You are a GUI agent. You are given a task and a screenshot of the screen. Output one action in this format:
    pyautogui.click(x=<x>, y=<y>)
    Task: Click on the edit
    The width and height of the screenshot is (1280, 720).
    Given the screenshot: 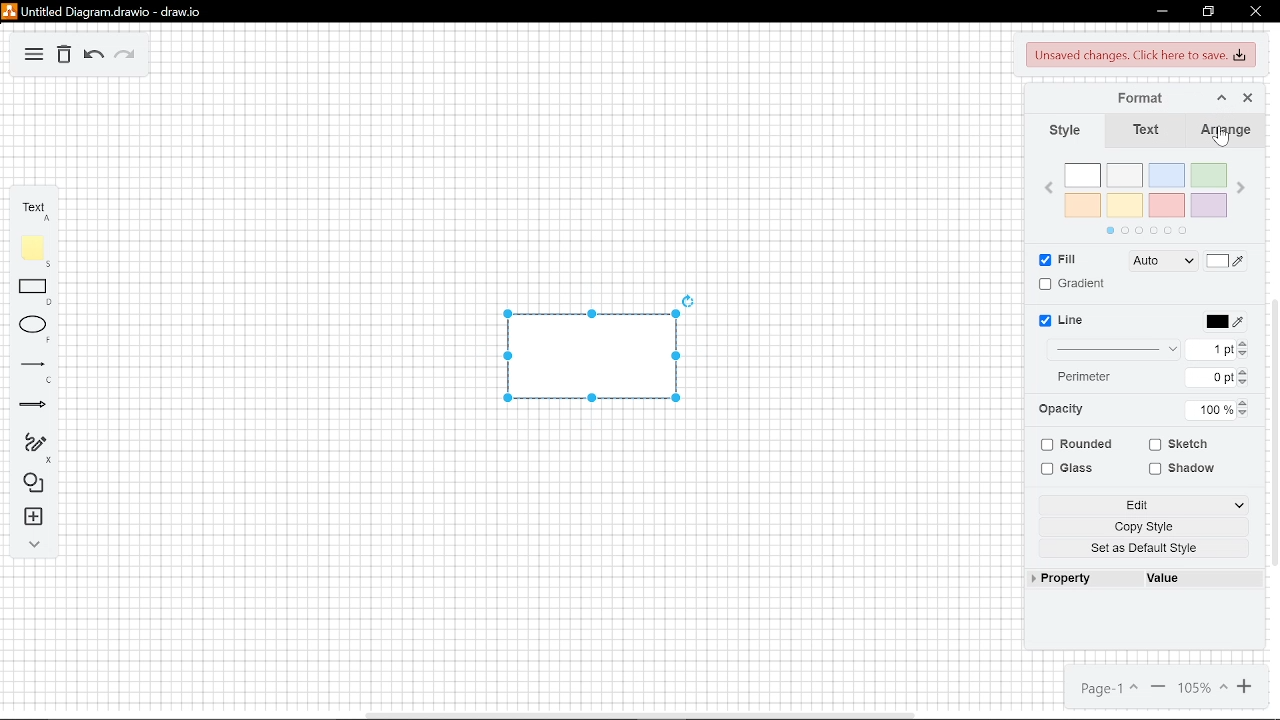 What is the action you would take?
    pyautogui.click(x=1147, y=504)
    